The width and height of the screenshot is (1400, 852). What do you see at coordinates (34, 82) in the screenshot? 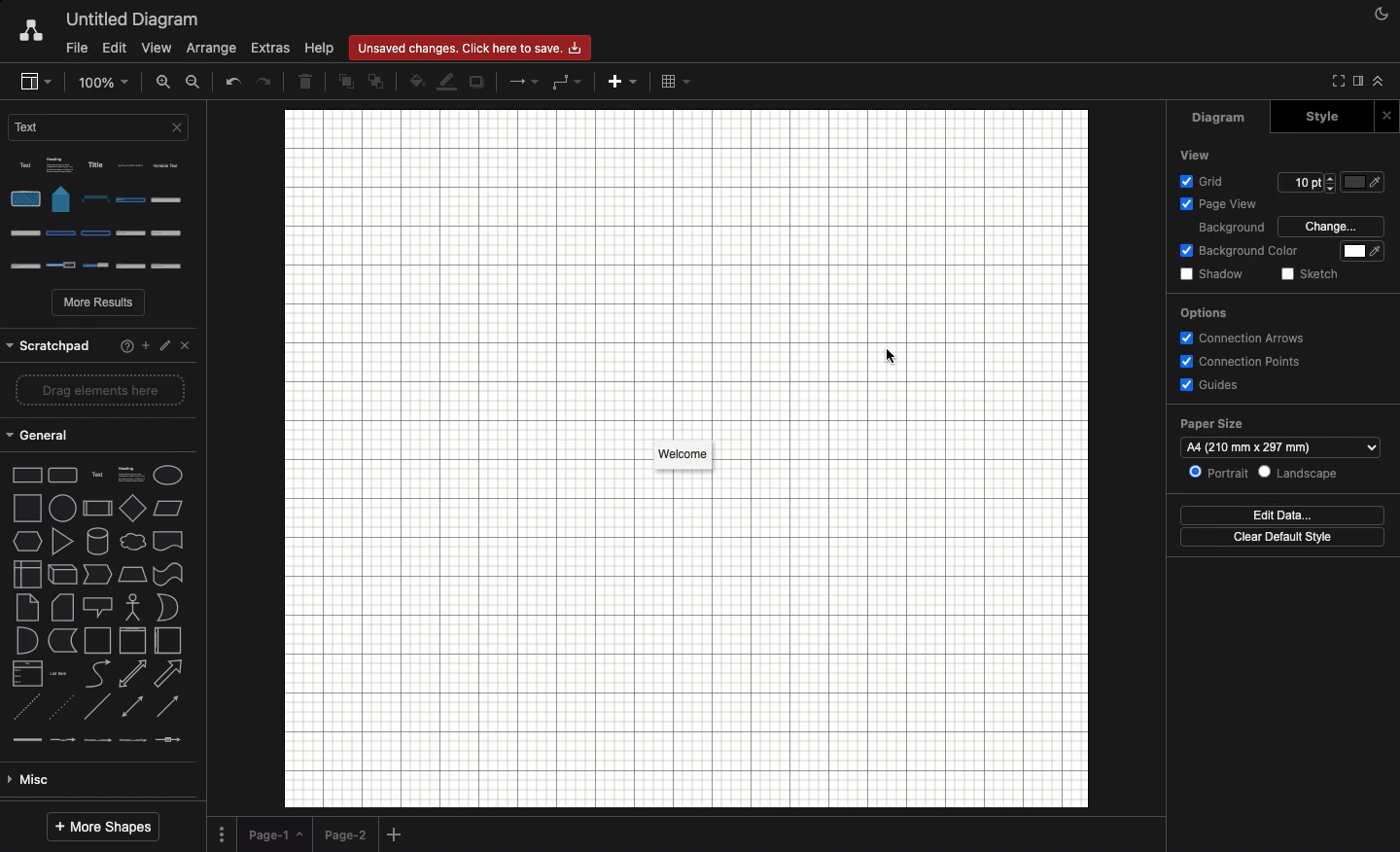
I see `Sidebar` at bounding box center [34, 82].